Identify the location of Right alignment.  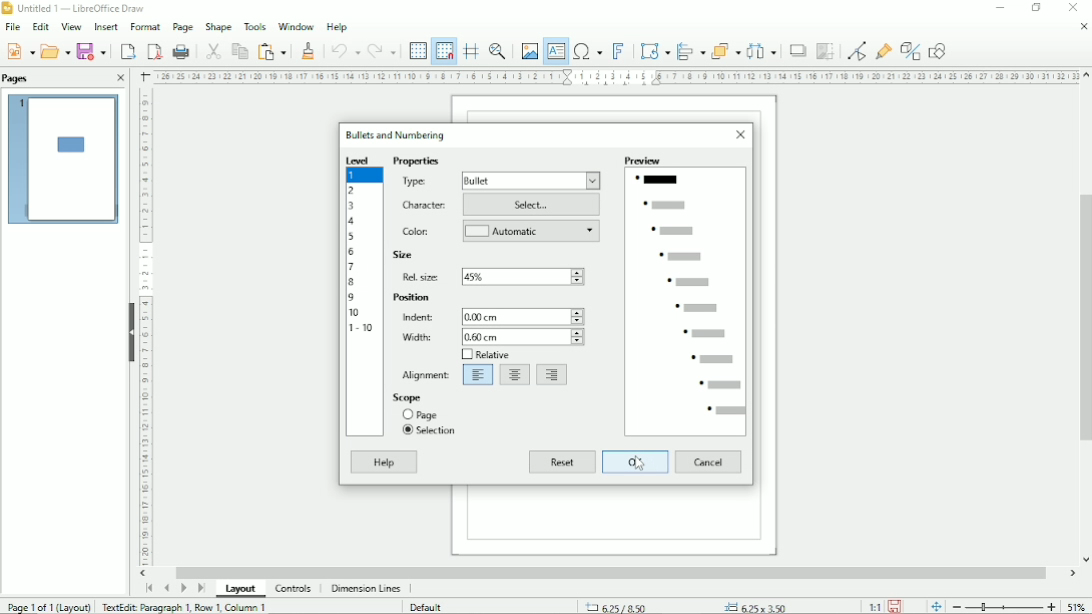
(553, 375).